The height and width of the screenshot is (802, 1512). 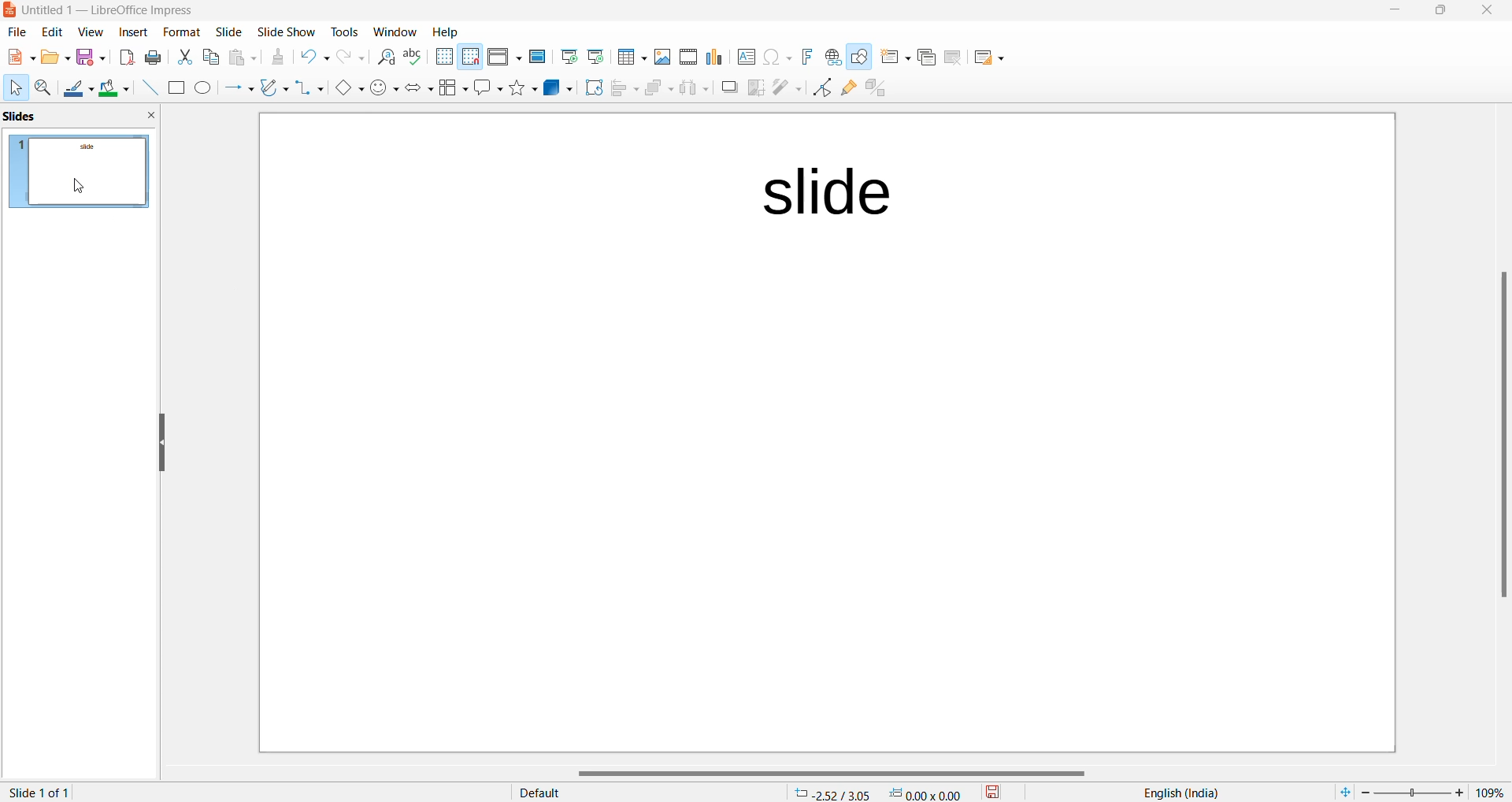 What do you see at coordinates (505, 58) in the screenshot?
I see `display view` at bounding box center [505, 58].